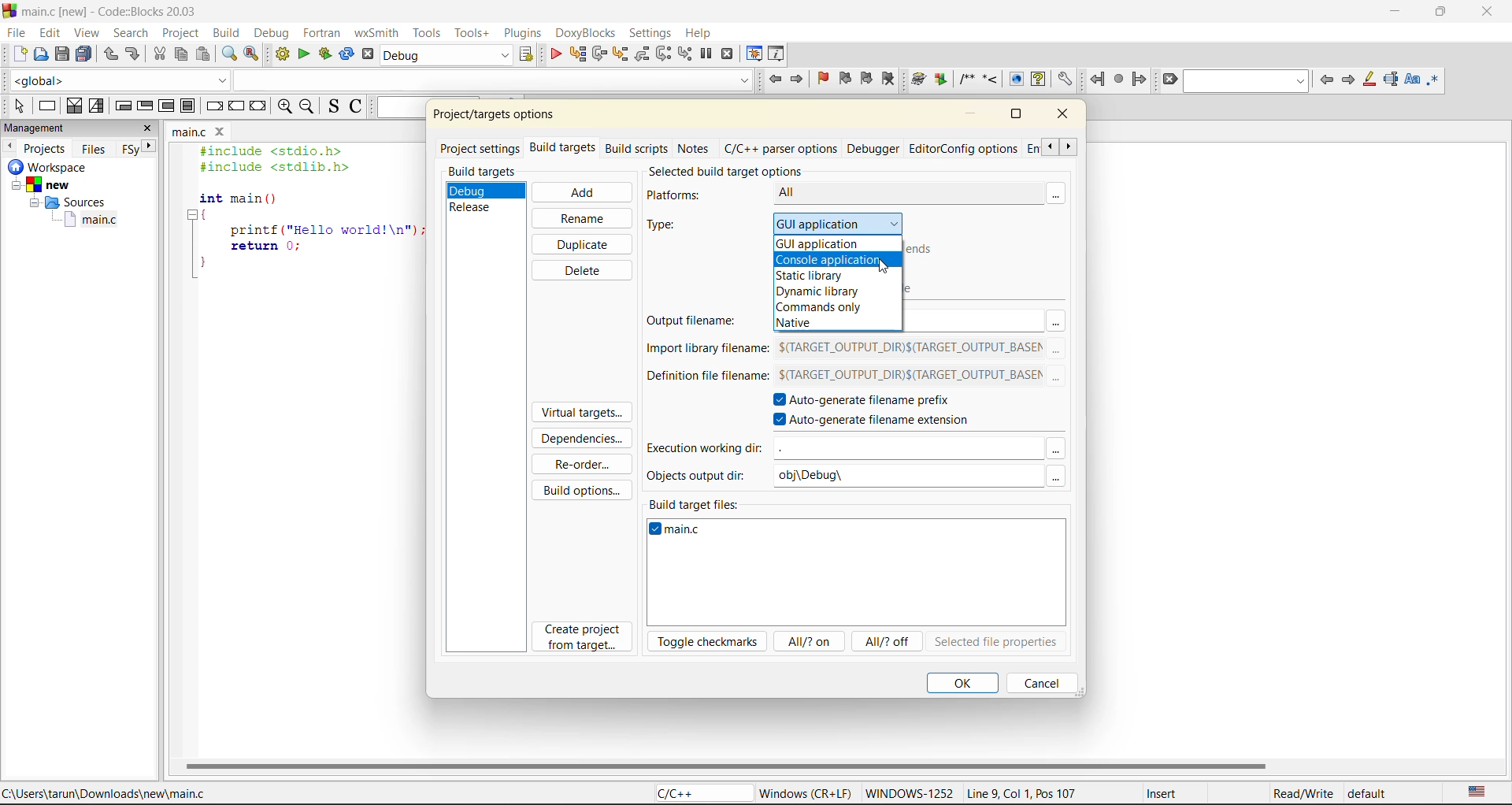 Image resolution: width=1512 pixels, height=805 pixels. I want to click on rename, so click(580, 218).